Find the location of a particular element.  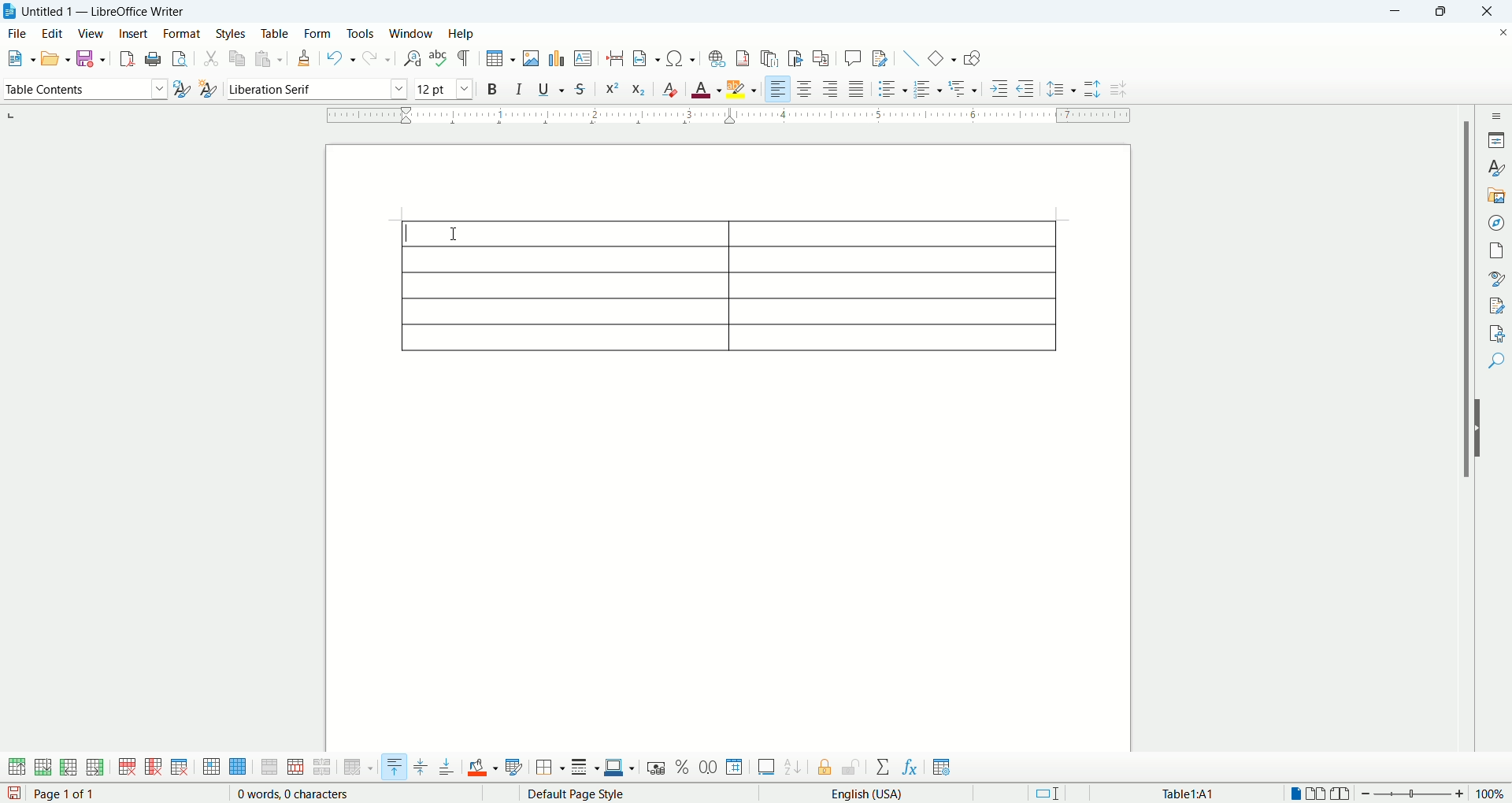

page count is located at coordinates (69, 794).